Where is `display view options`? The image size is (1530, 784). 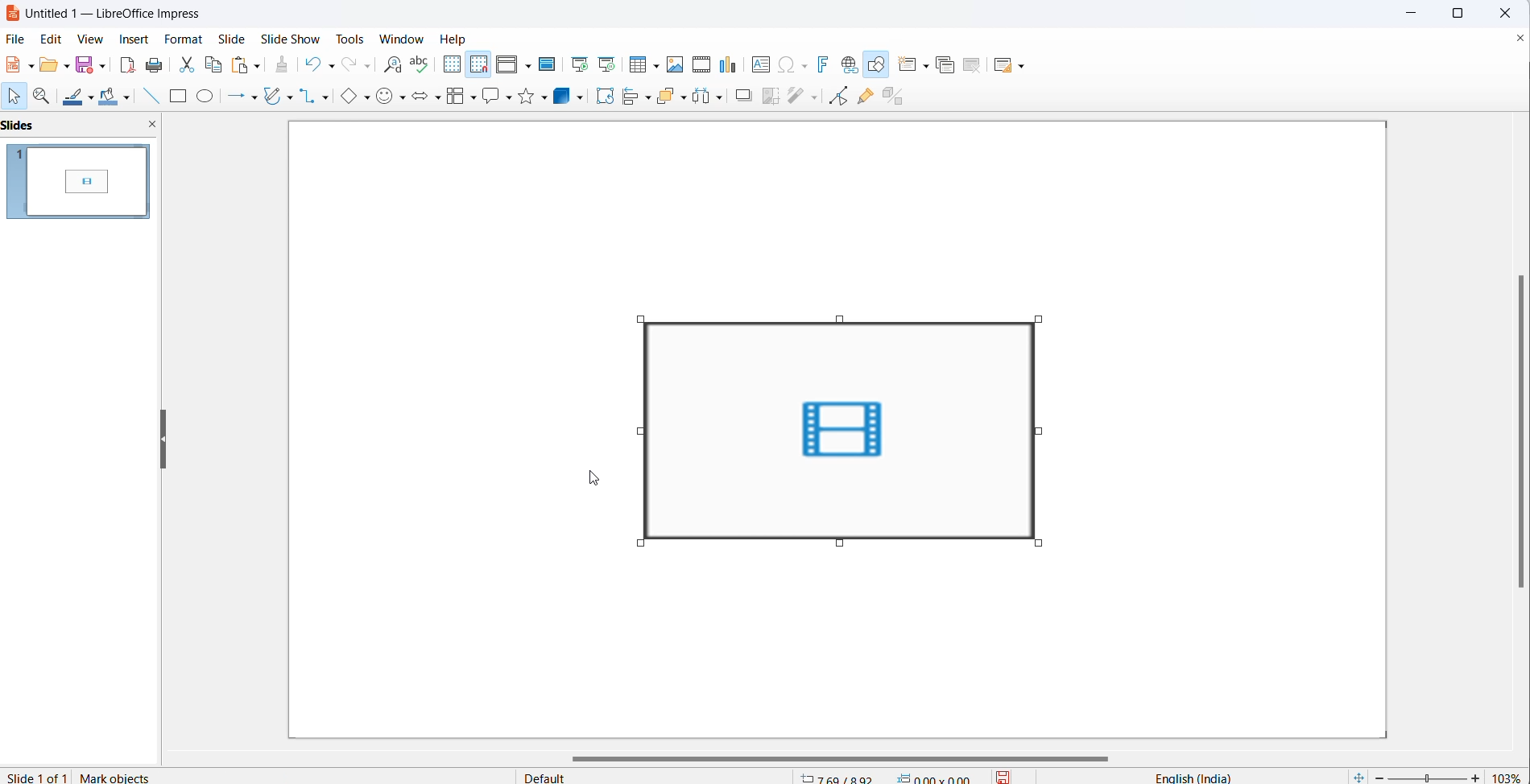 display view options is located at coordinates (529, 67).